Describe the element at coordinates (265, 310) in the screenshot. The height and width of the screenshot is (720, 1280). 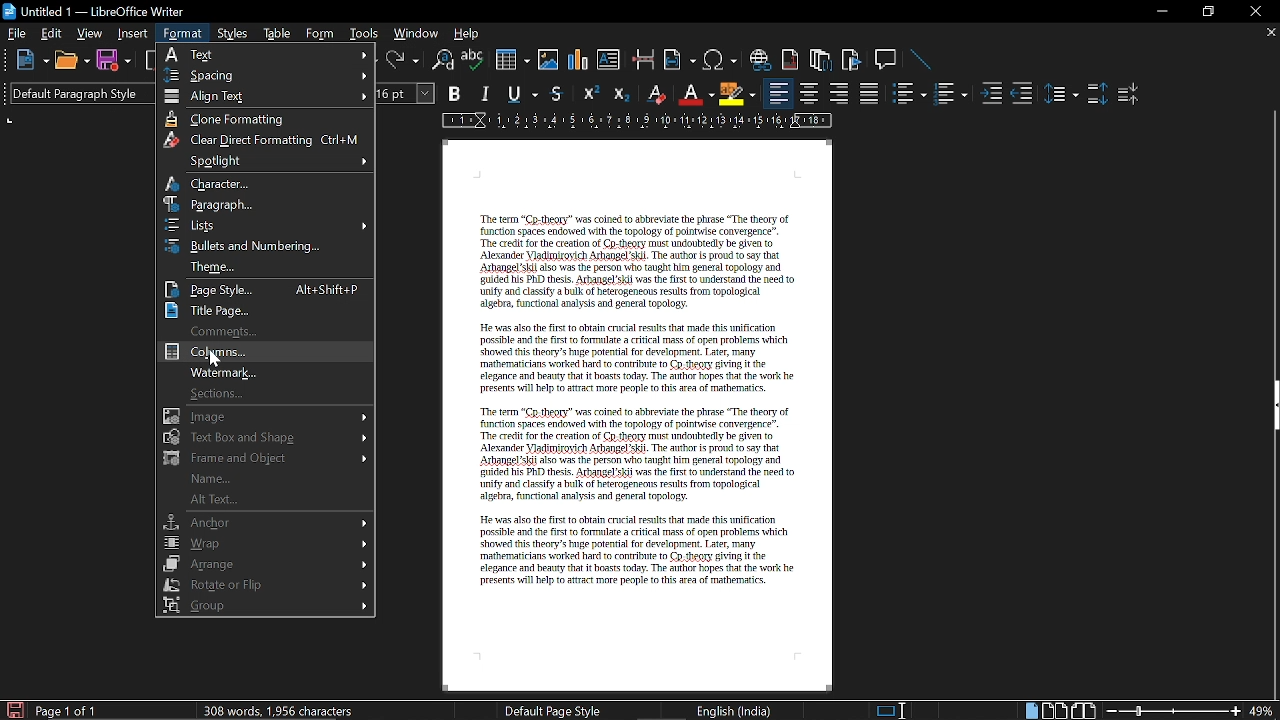
I see `Title page` at that location.